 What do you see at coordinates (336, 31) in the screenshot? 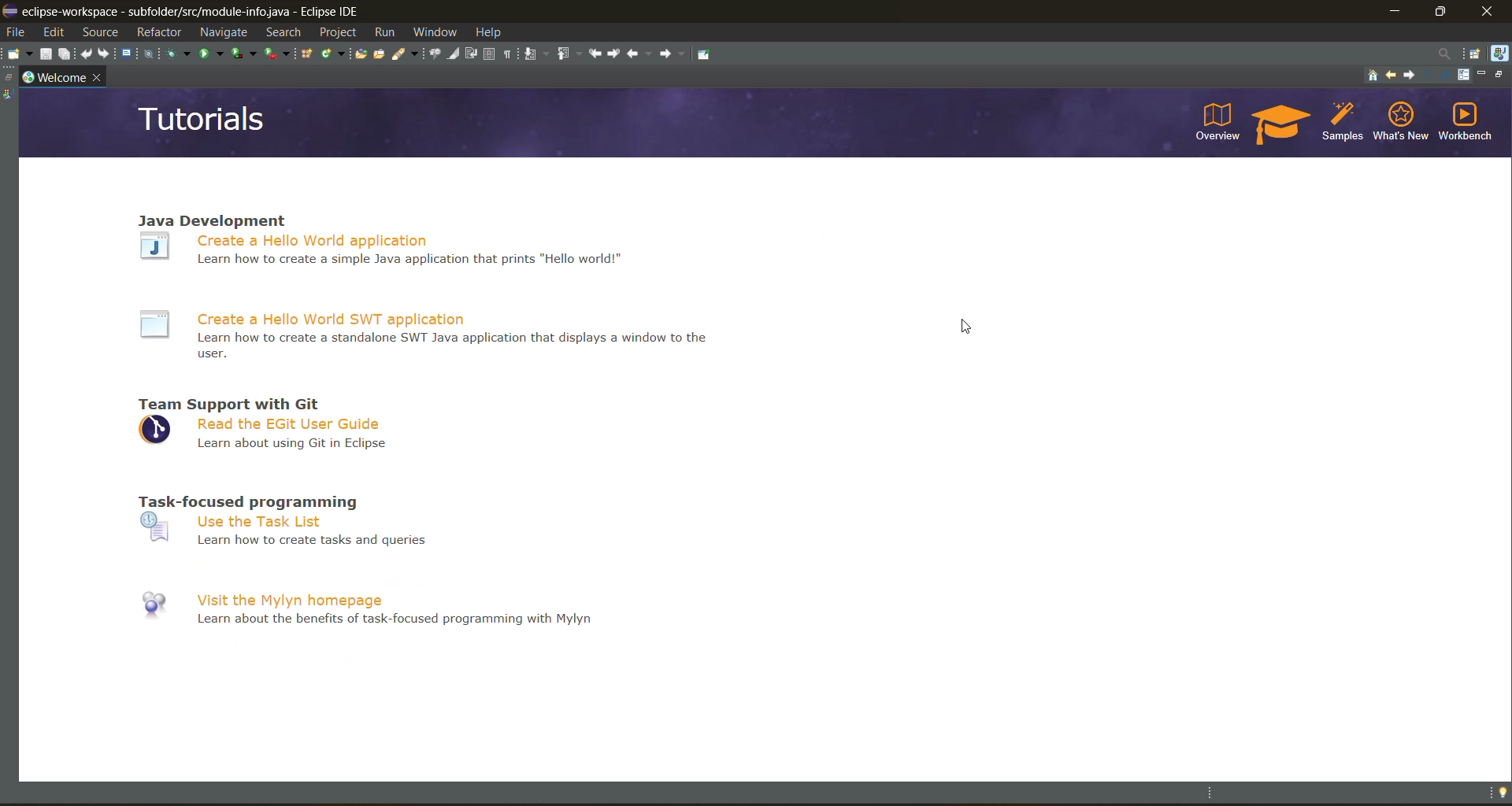
I see `project` at bounding box center [336, 31].